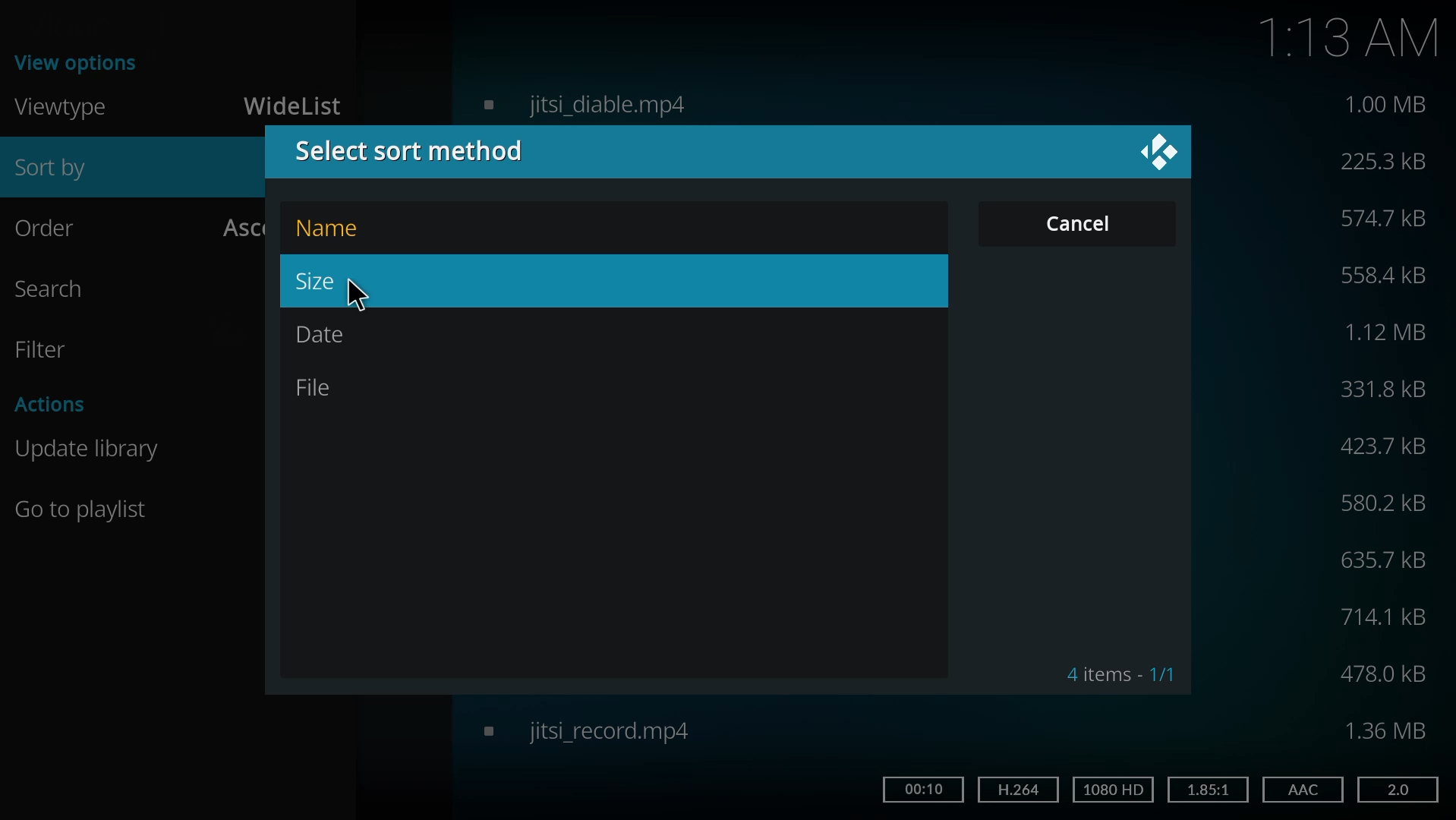  Describe the element at coordinates (52, 228) in the screenshot. I see `order` at that location.